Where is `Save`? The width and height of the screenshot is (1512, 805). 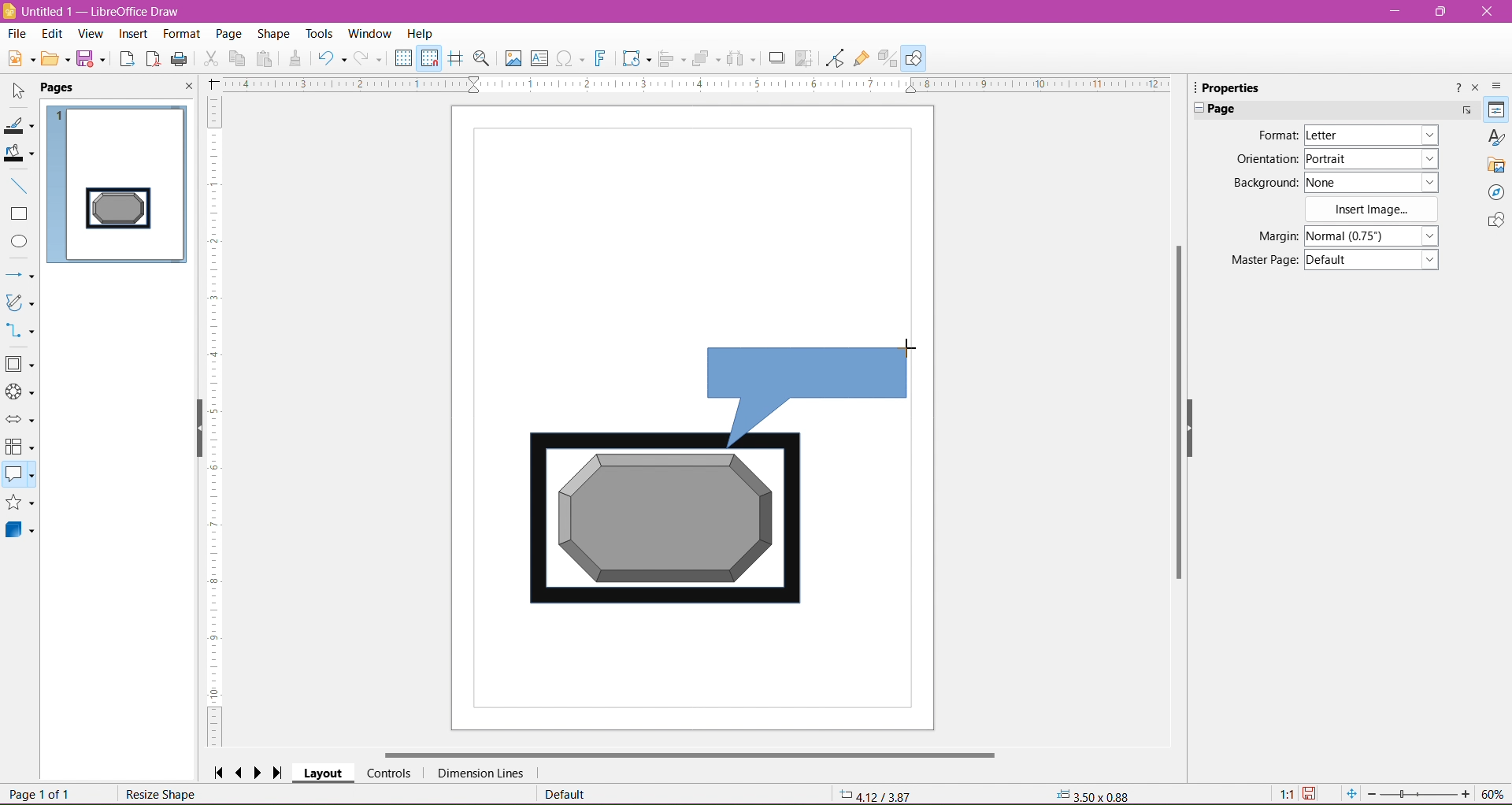
Save is located at coordinates (94, 61).